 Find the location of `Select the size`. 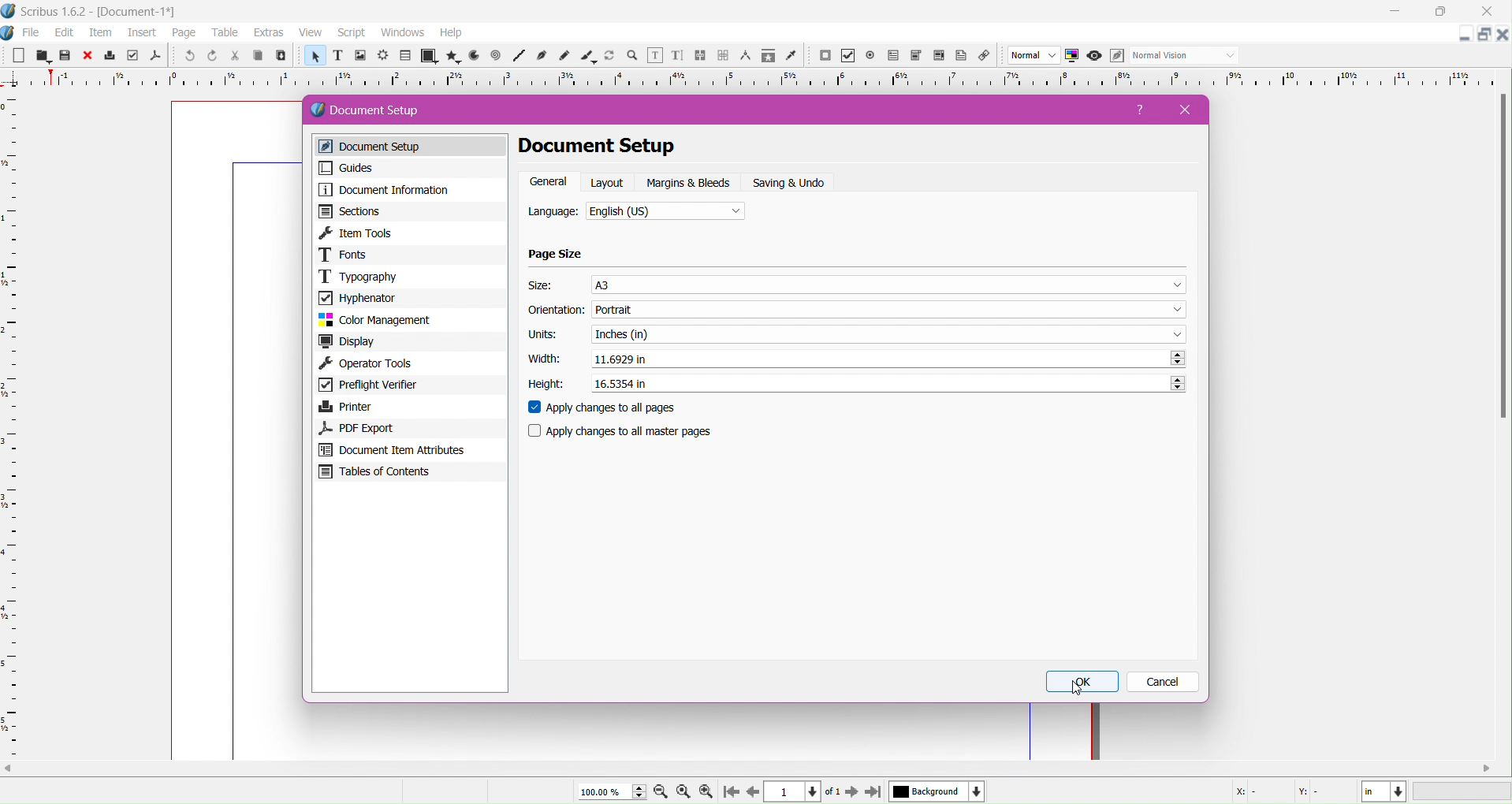

Select the size is located at coordinates (889, 284).